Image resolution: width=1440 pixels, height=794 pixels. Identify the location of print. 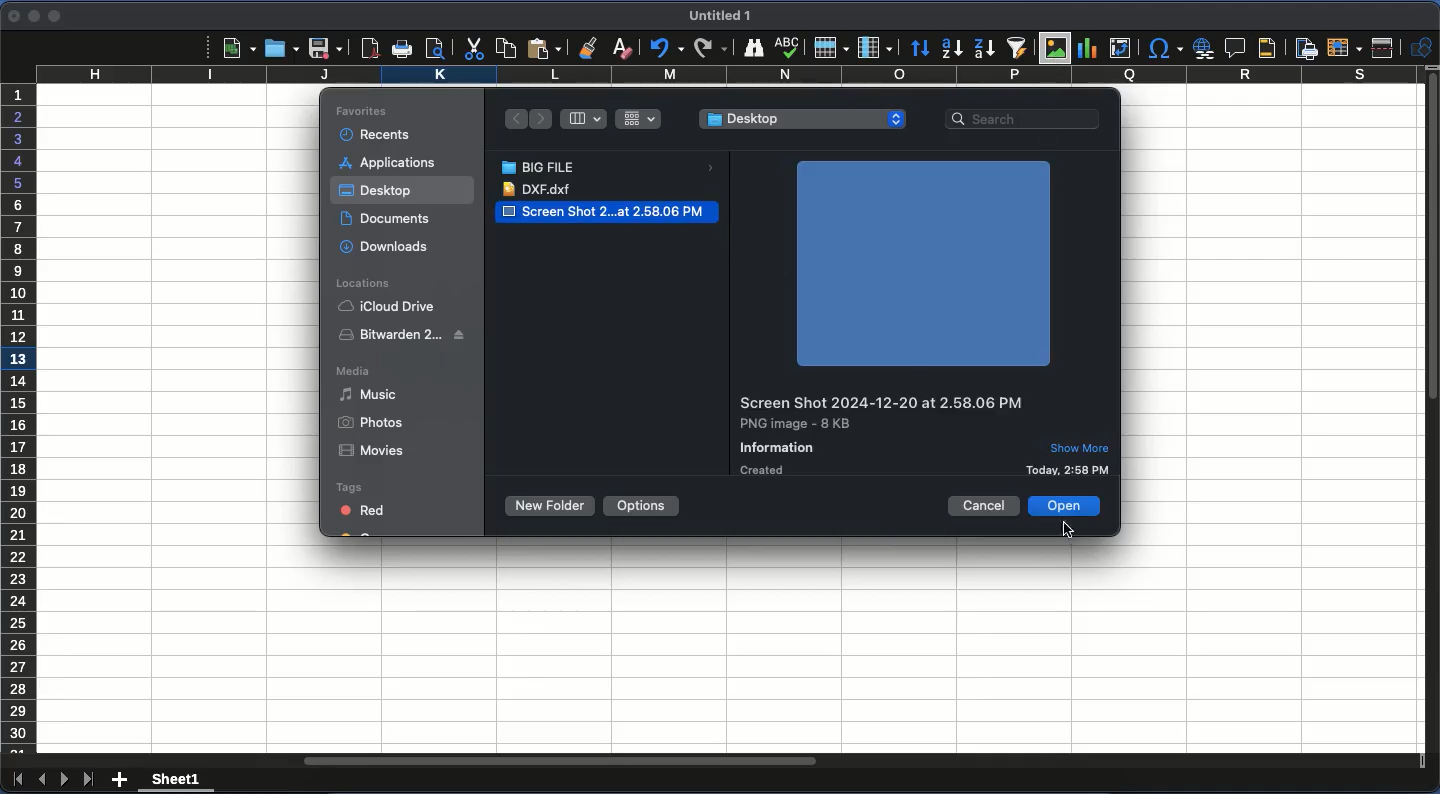
(402, 48).